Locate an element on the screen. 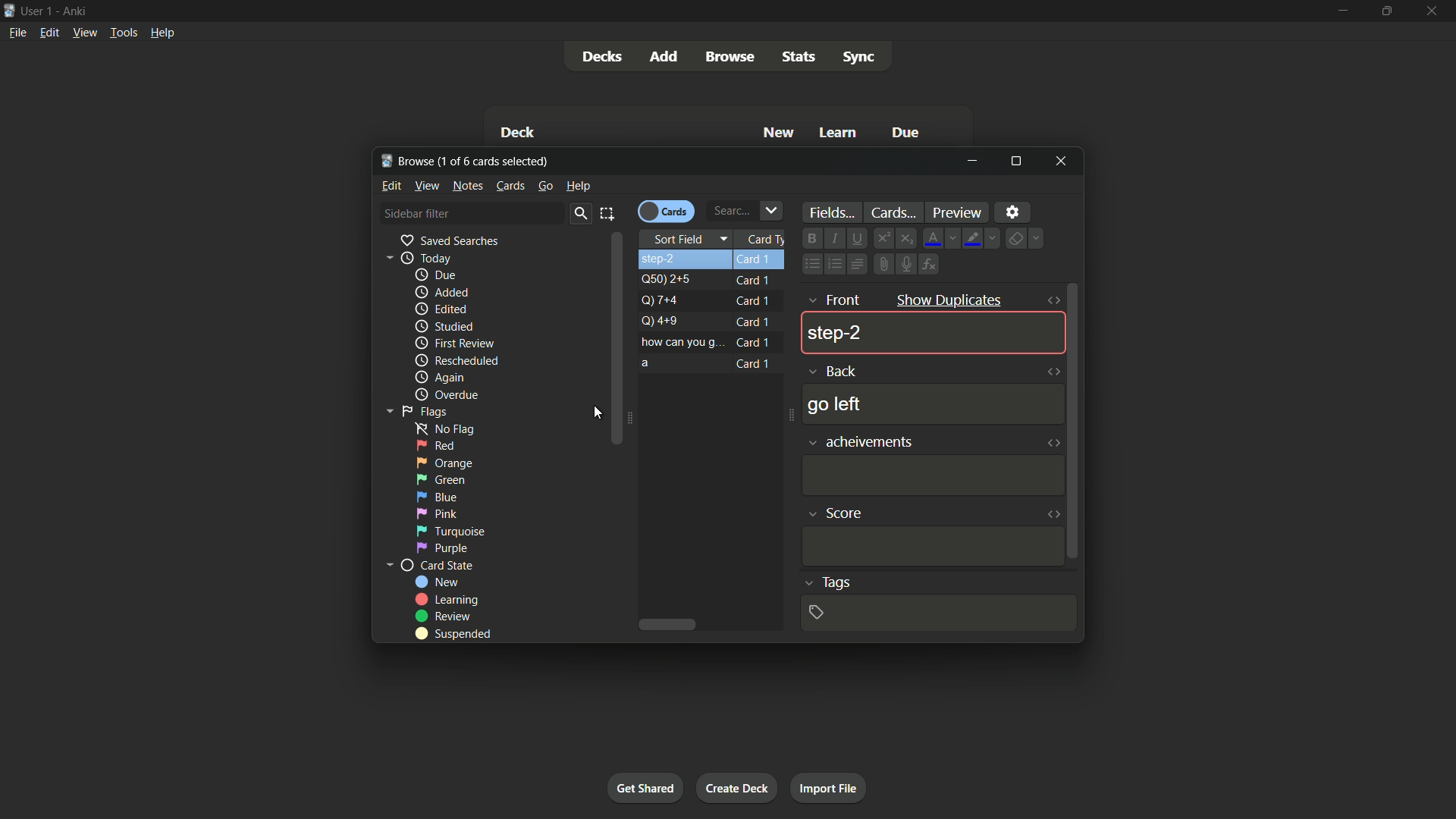 The height and width of the screenshot is (819, 1456). minimize is located at coordinates (973, 162).